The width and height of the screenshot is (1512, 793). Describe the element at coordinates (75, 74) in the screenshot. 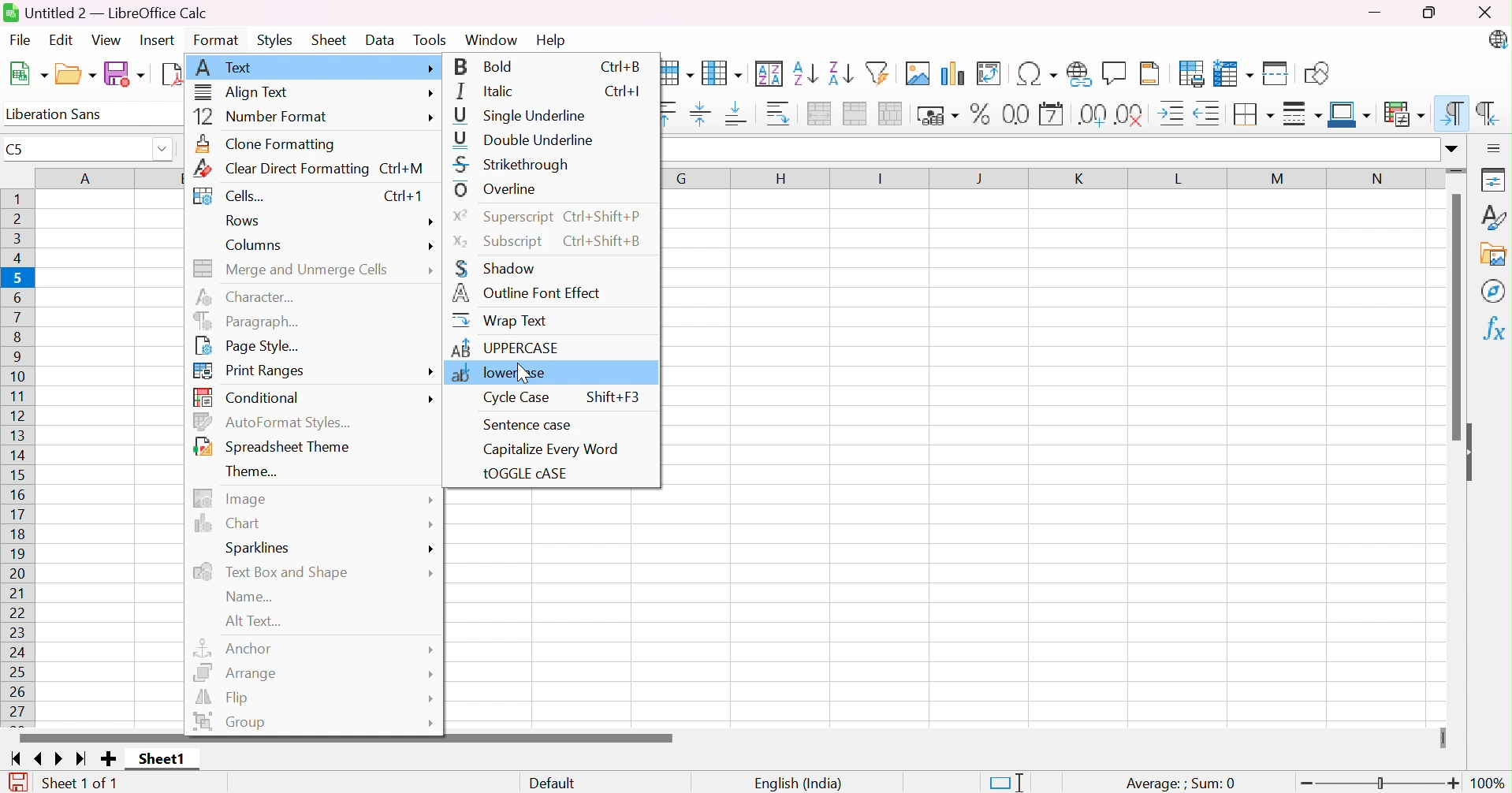

I see `Open` at that location.